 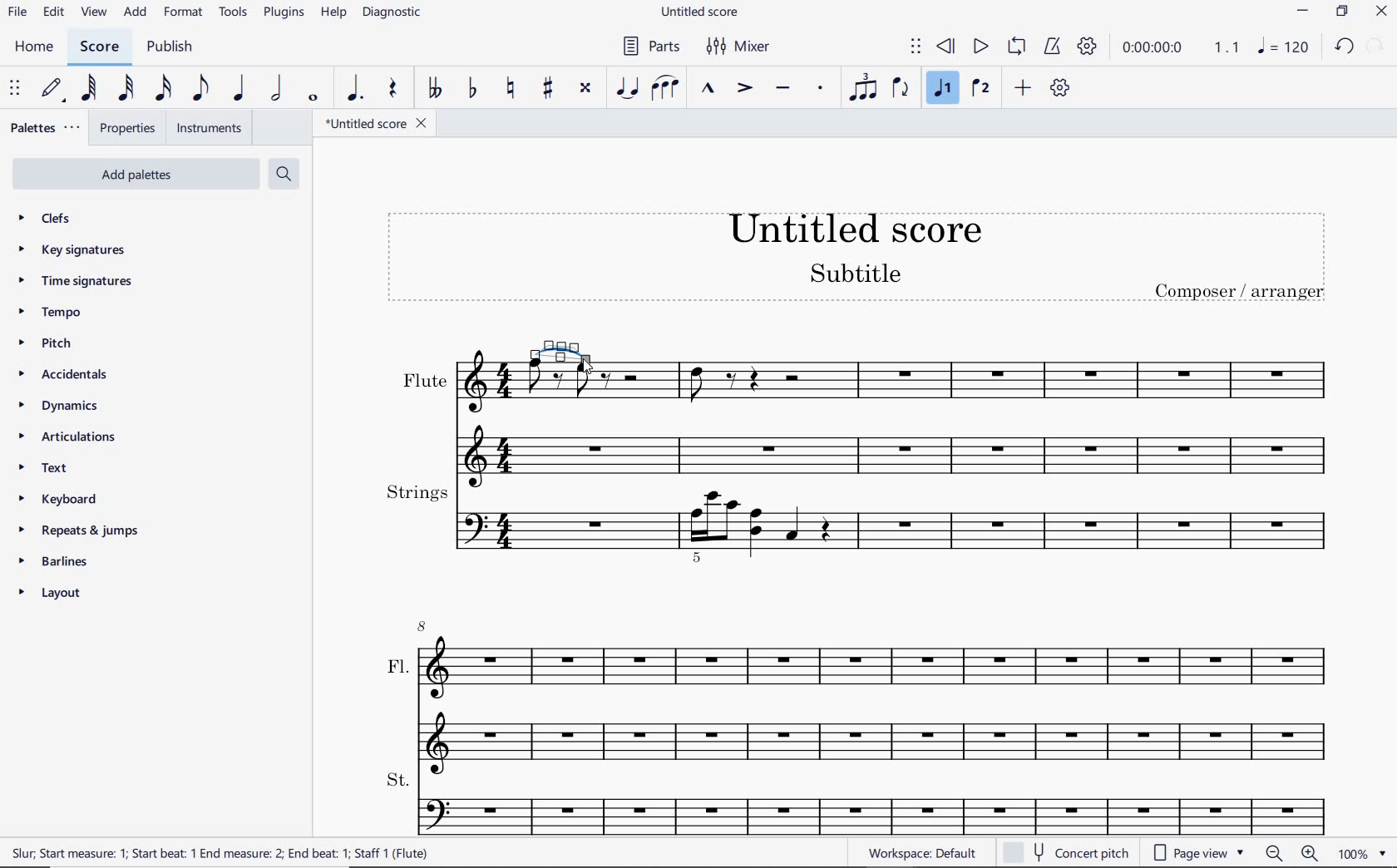 I want to click on QUARTER NOTE, so click(x=243, y=88).